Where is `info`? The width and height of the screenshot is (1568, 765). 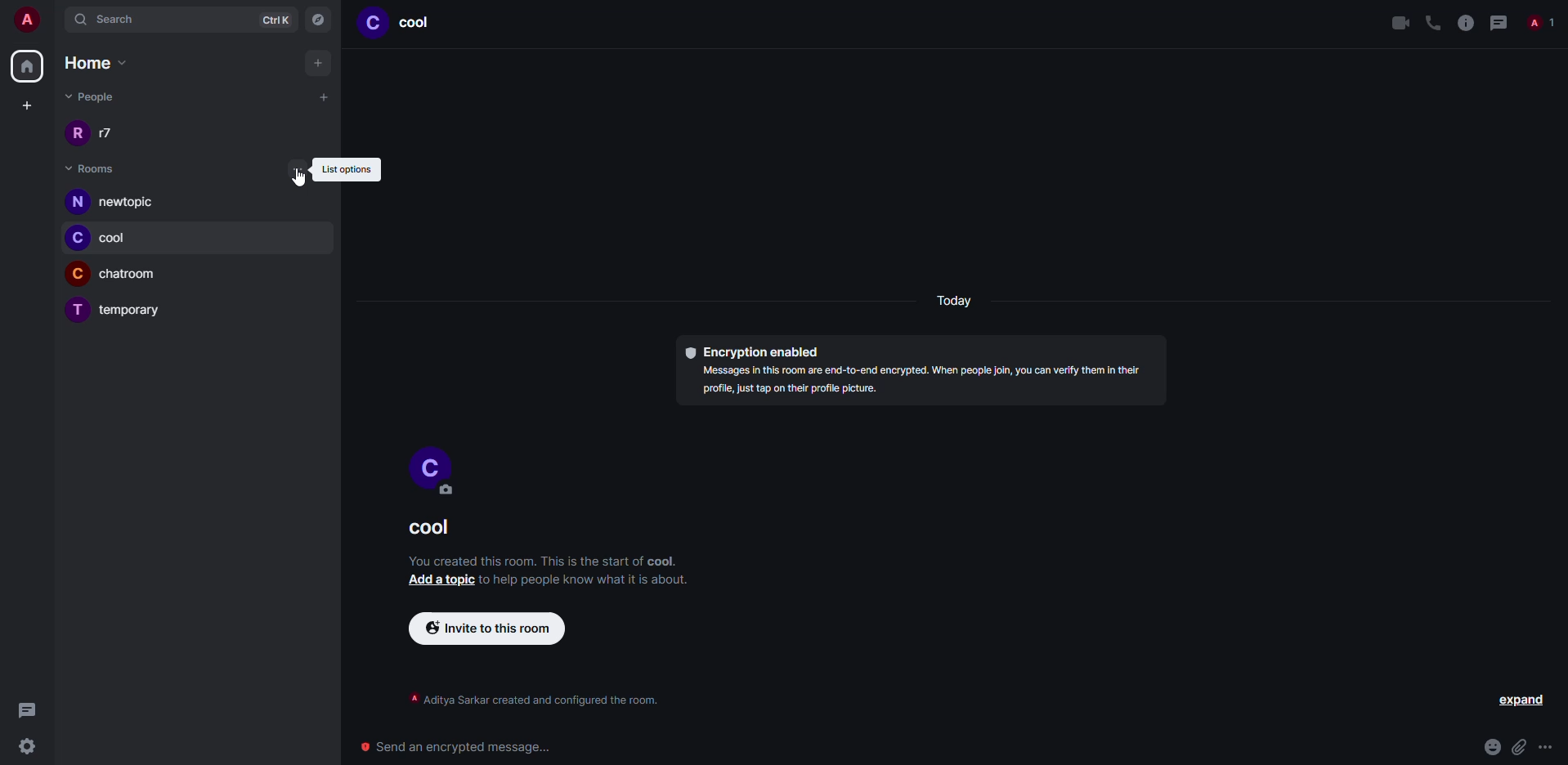
info is located at coordinates (587, 579).